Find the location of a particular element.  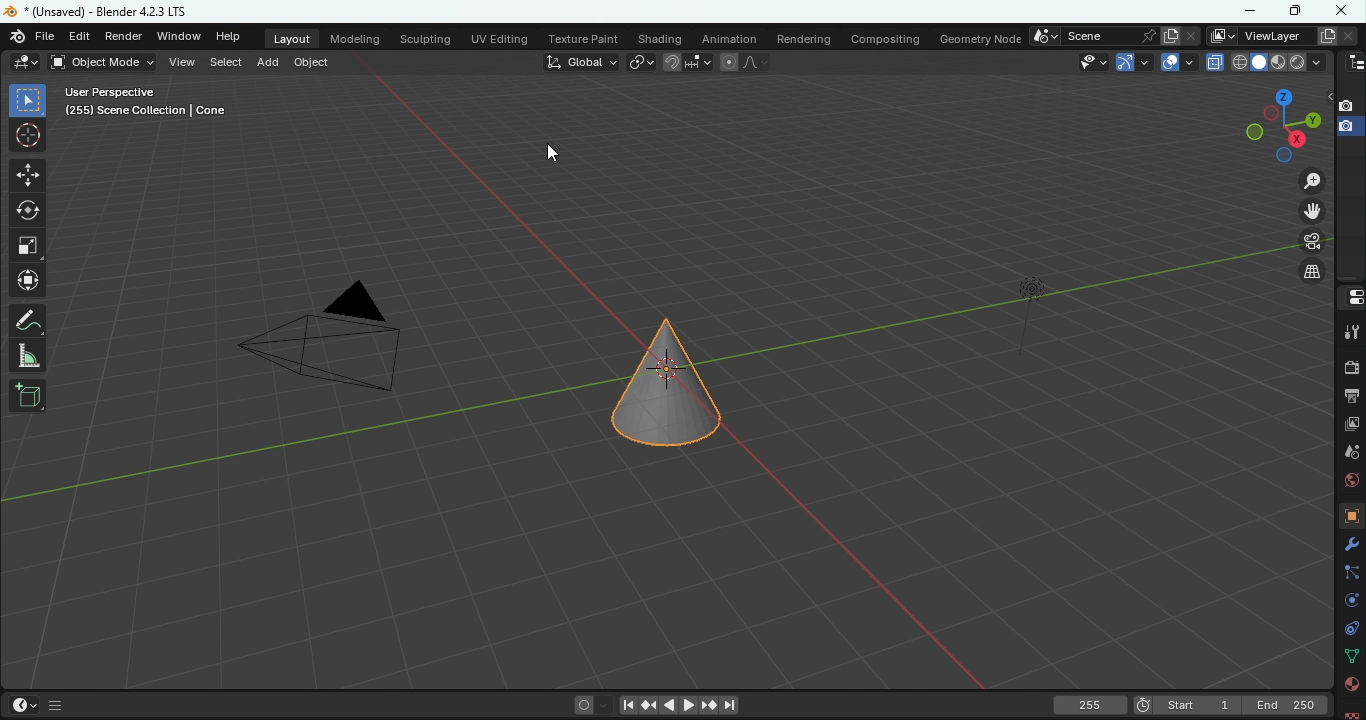

Browse scene to be linked is located at coordinates (1044, 36).